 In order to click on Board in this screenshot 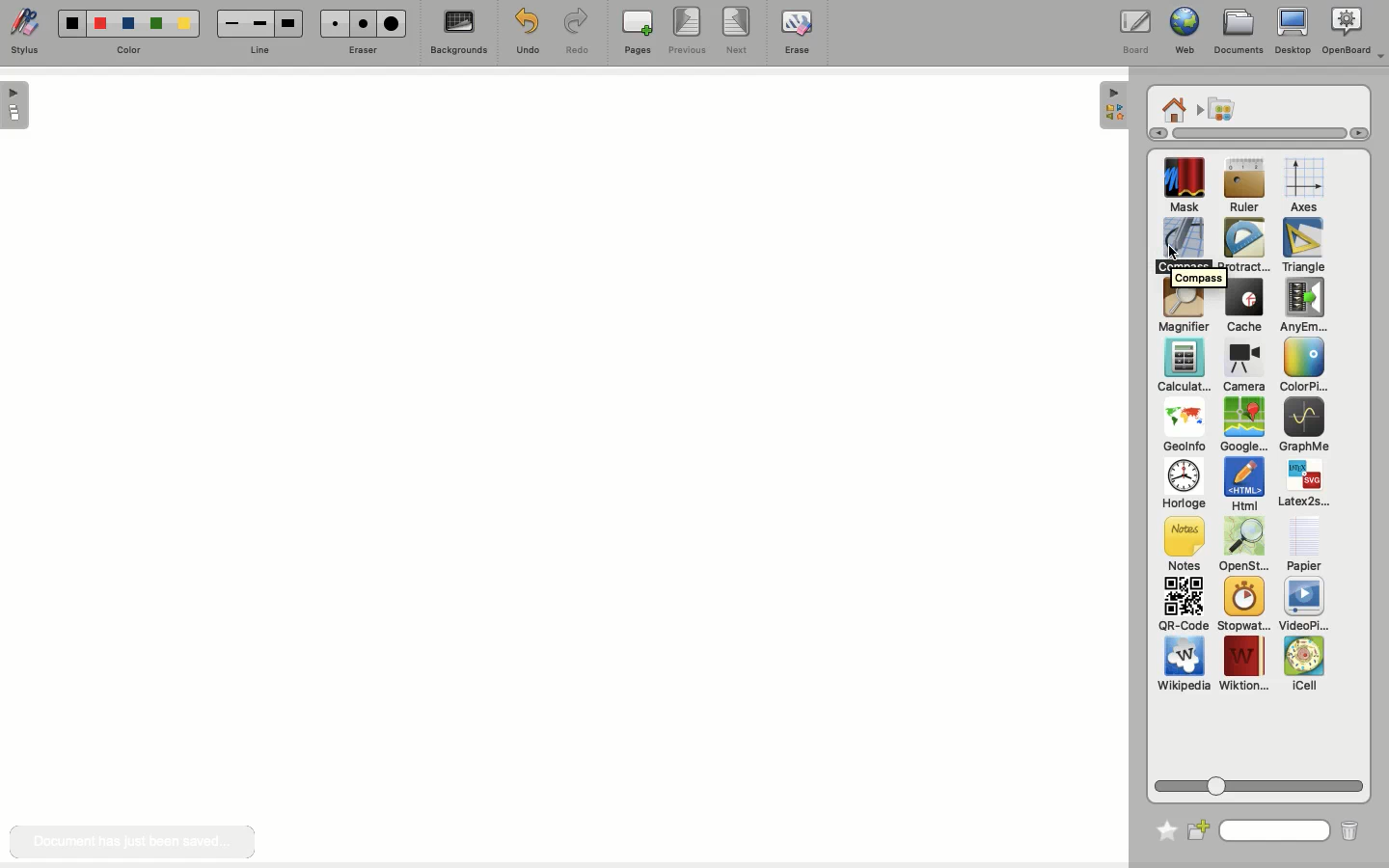, I will do `click(1134, 32)`.